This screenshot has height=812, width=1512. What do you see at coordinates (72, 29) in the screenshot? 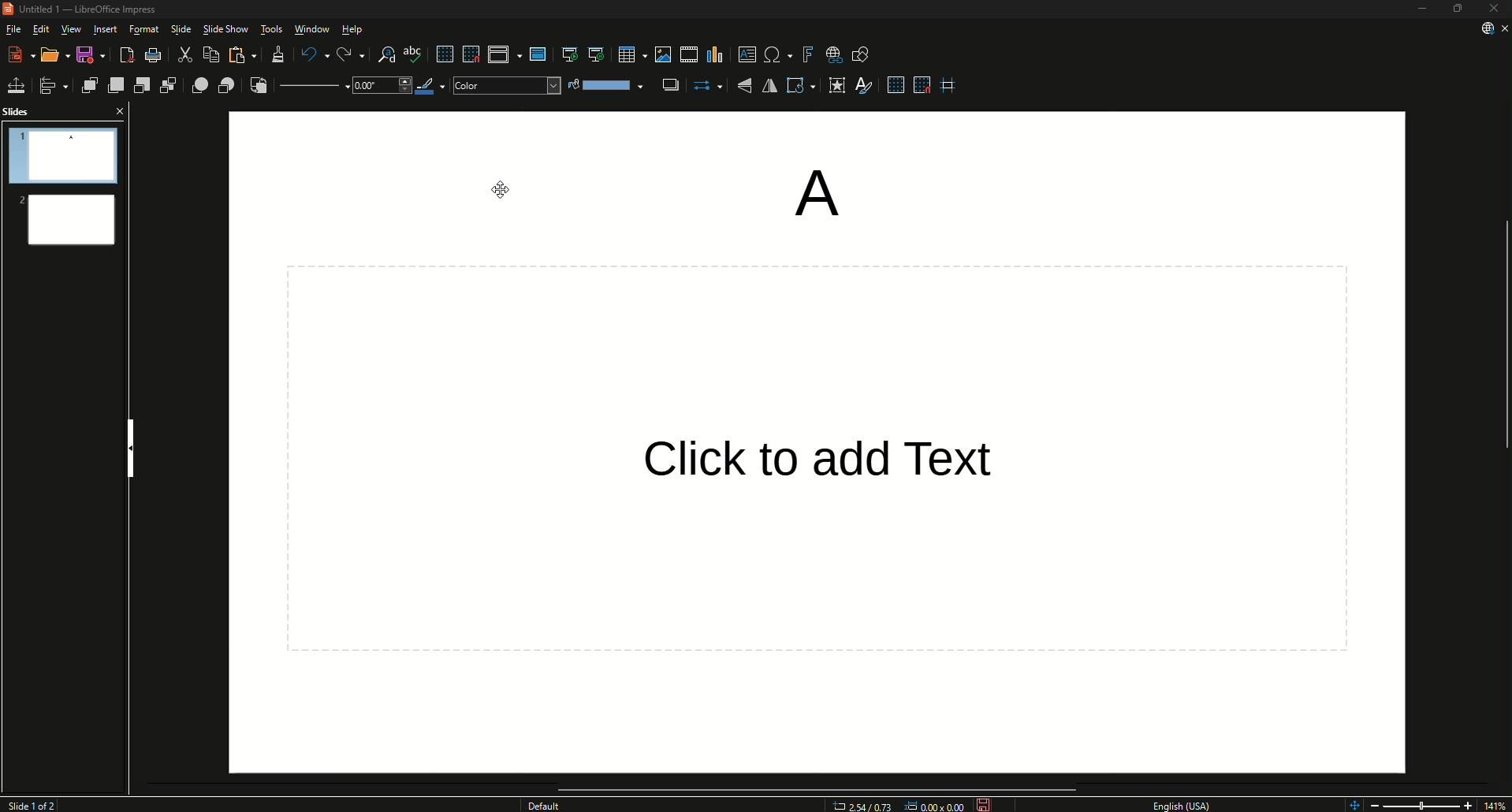
I see `View` at bounding box center [72, 29].